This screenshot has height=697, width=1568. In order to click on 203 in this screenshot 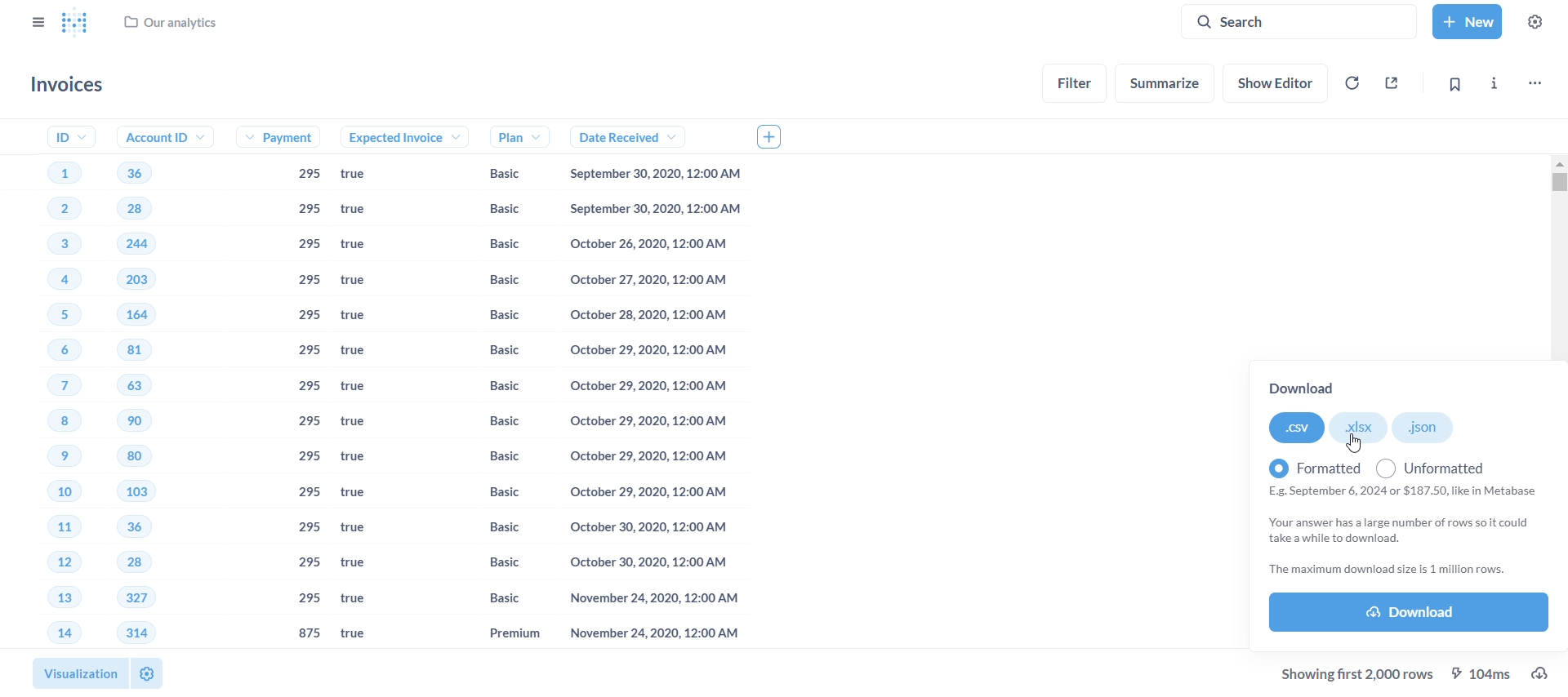, I will do `click(144, 279)`.